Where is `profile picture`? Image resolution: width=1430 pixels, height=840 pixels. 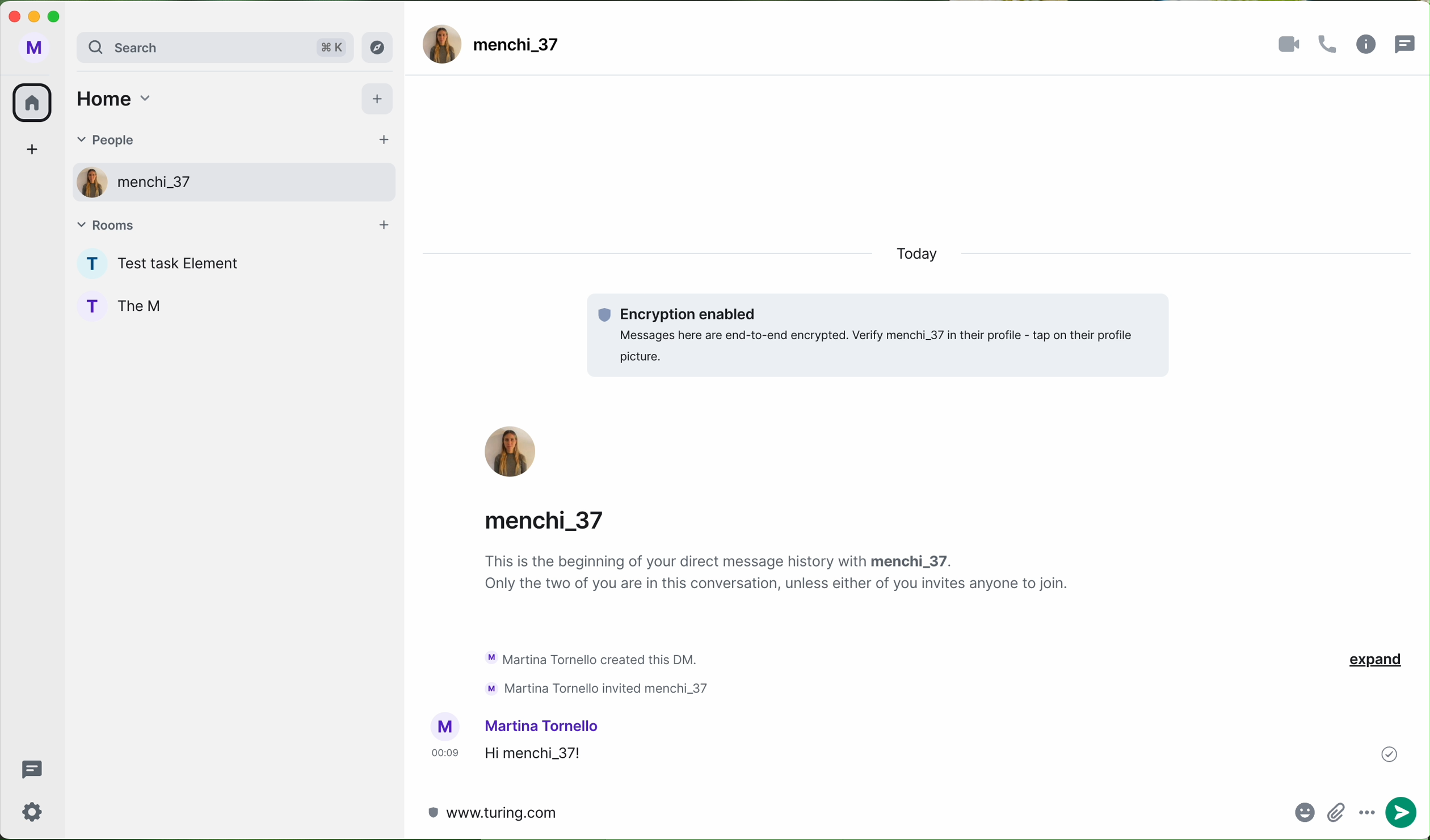 profile picture is located at coordinates (512, 453).